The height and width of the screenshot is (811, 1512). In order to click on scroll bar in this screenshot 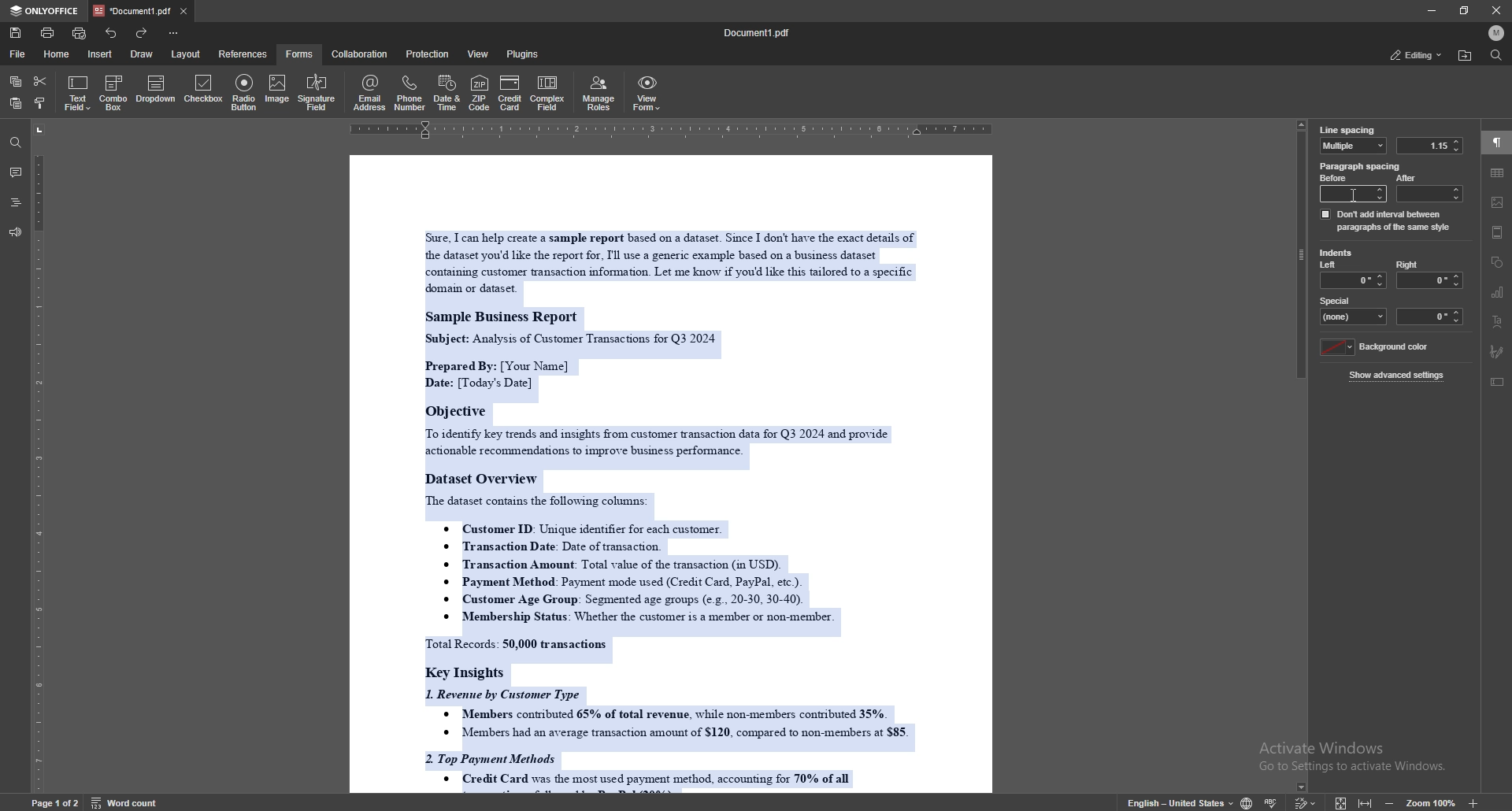, I will do `click(1302, 459)`.